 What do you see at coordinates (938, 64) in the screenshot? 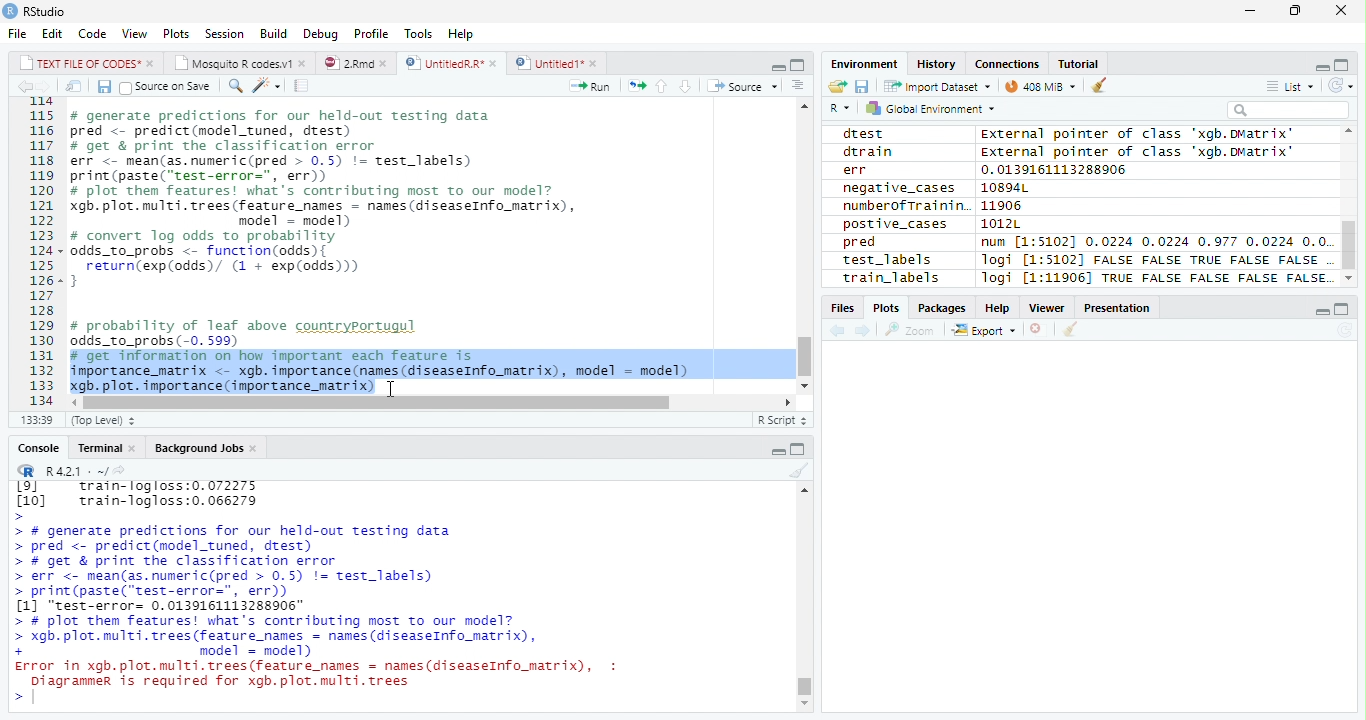
I see `History` at bounding box center [938, 64].